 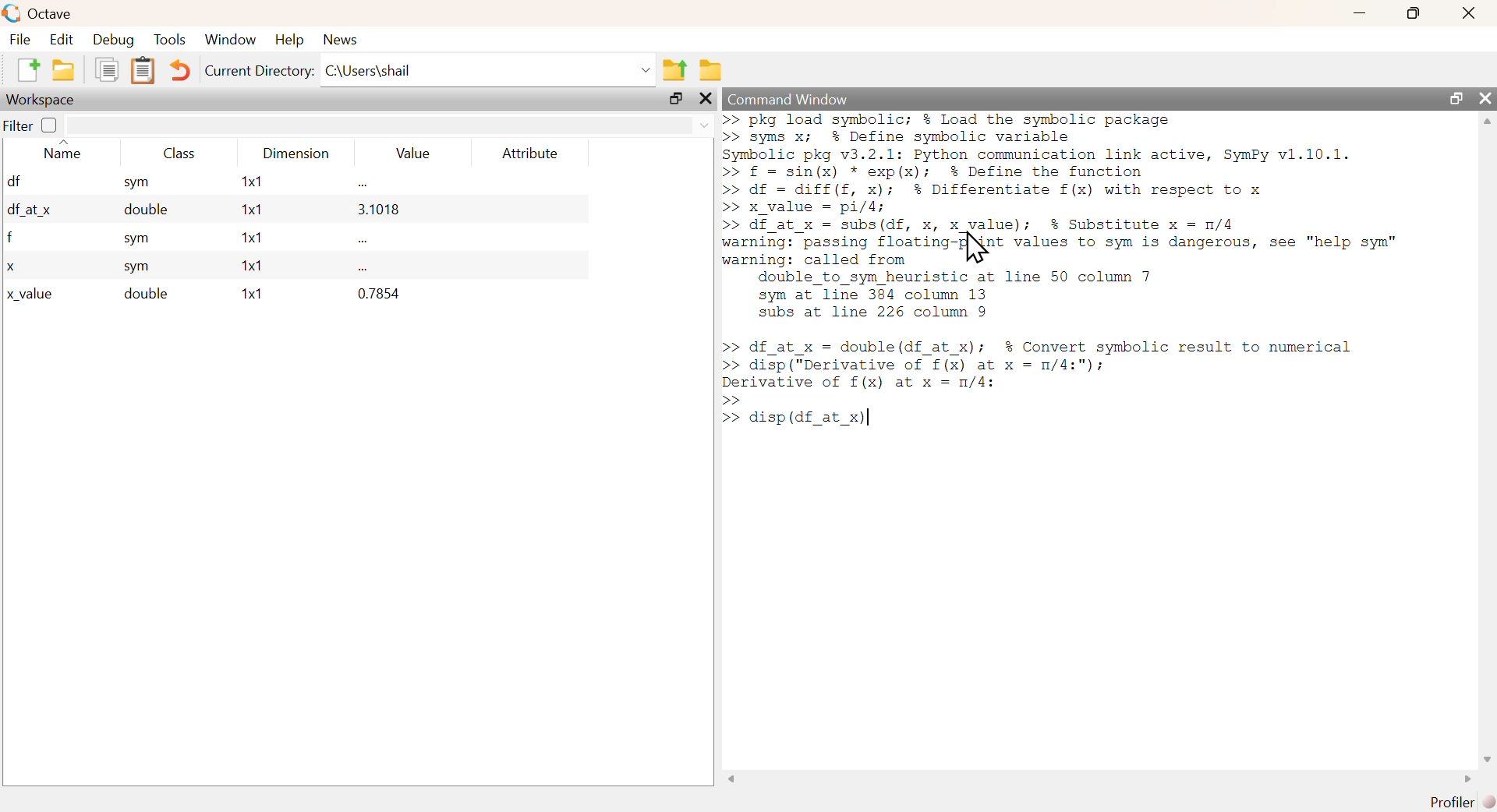 I want to click on C:\Users\shail, so click(x=487, y=70).